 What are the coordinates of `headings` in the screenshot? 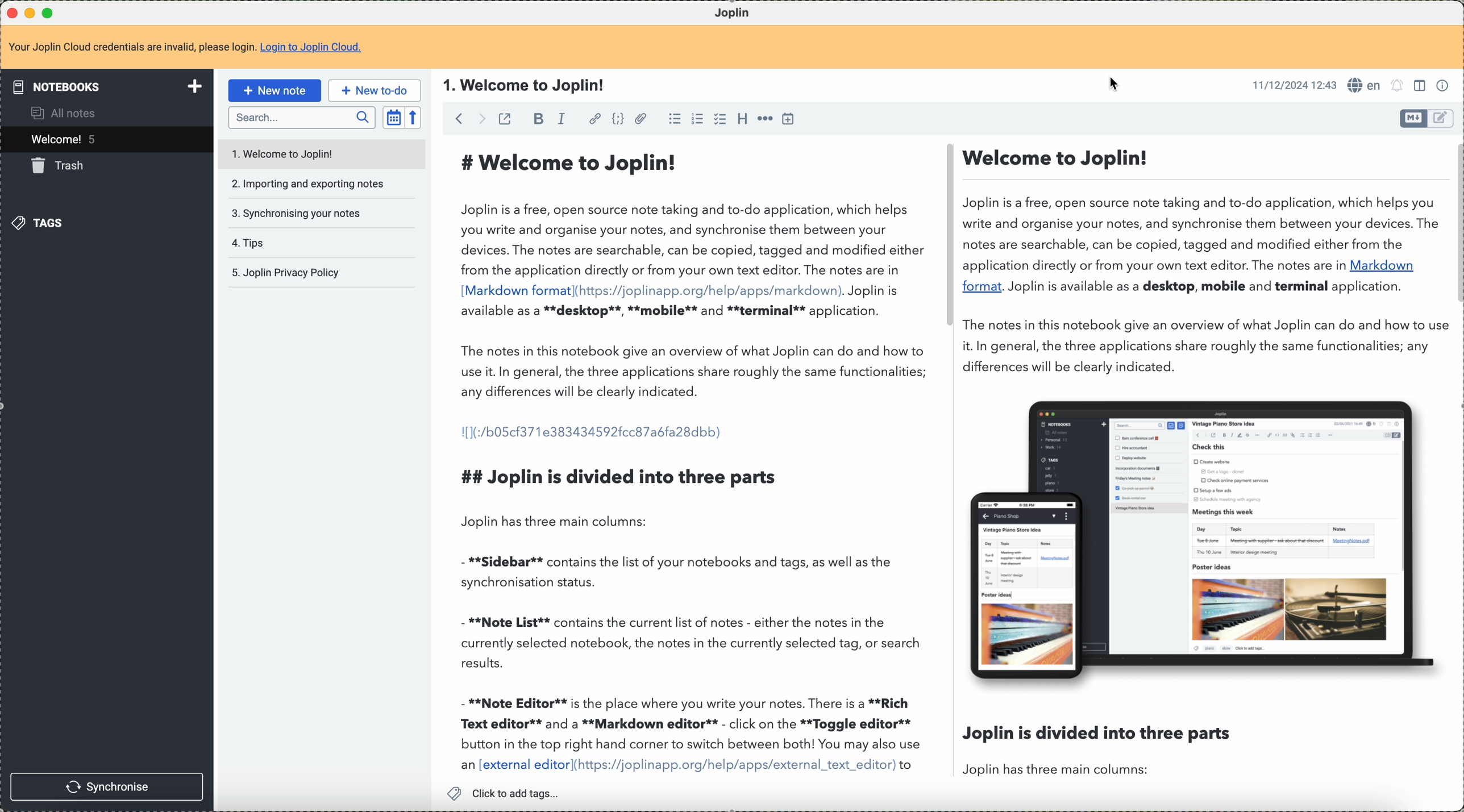 It's located at (741, 118).